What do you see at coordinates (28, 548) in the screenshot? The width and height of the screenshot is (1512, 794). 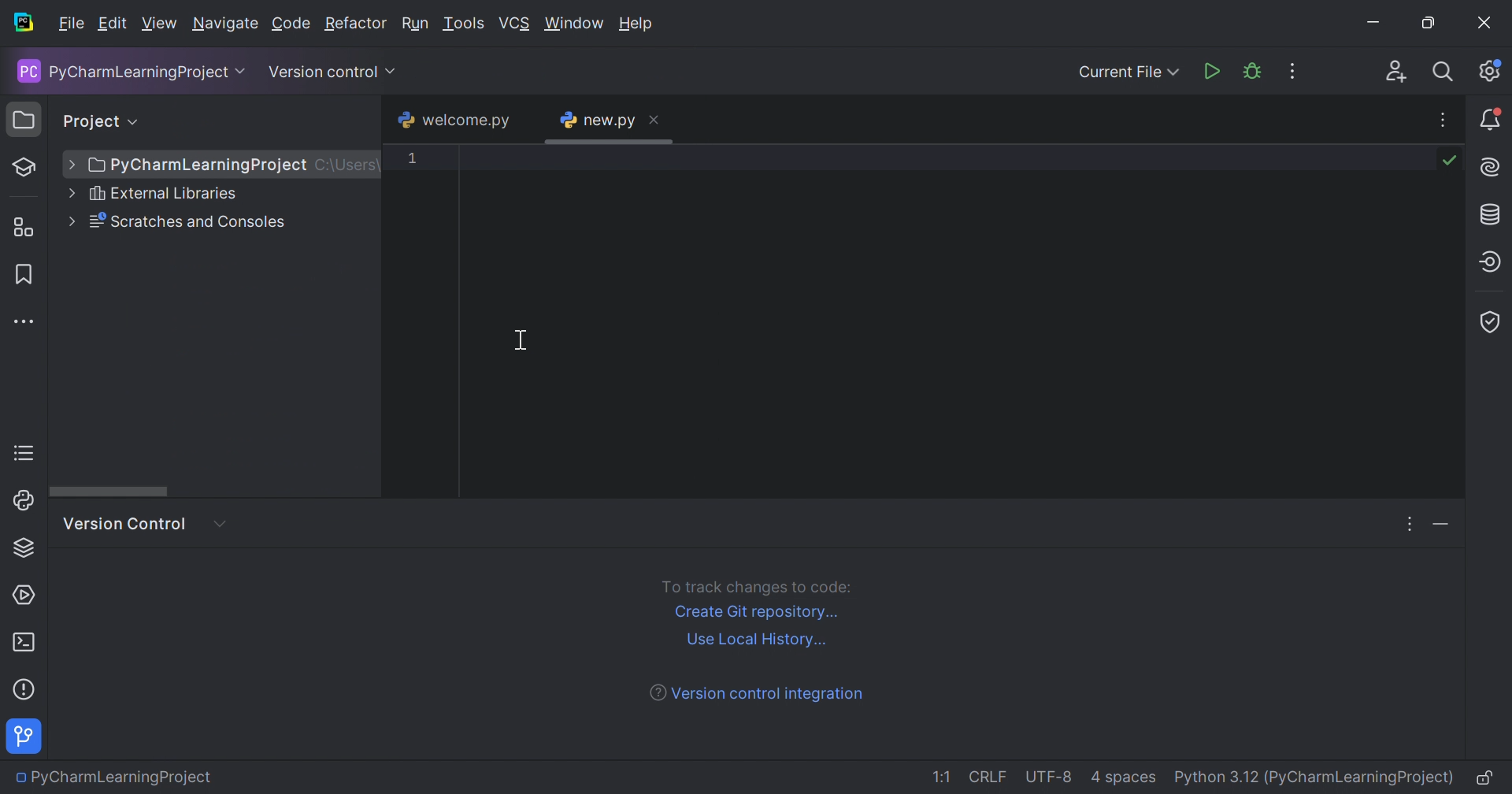 I see `Python Packages` at bounding box center [28, 548].